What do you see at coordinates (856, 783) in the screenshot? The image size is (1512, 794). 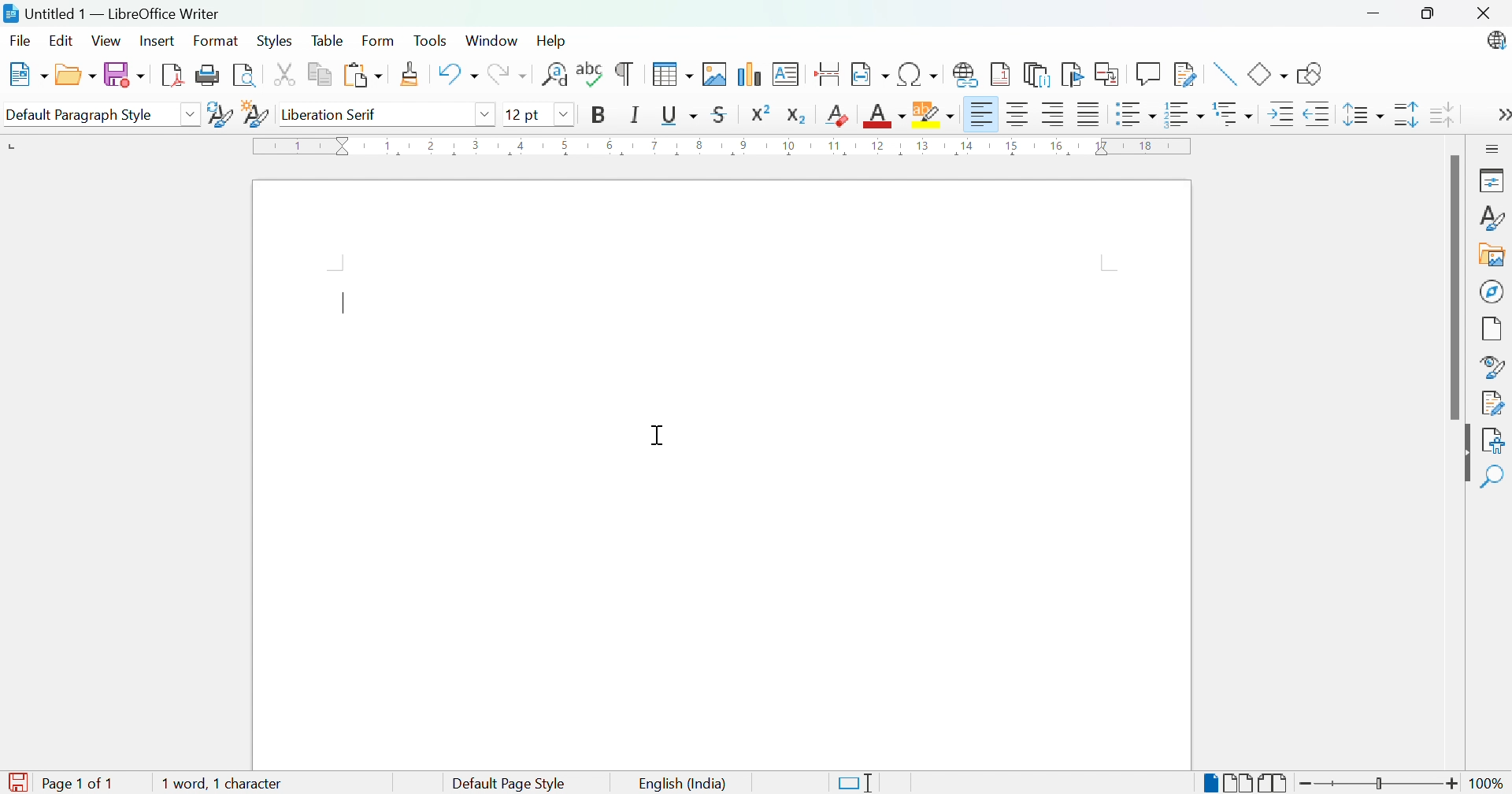 I see `Standard selection. Click to change selection mode.` at bounding box center [856, 783].